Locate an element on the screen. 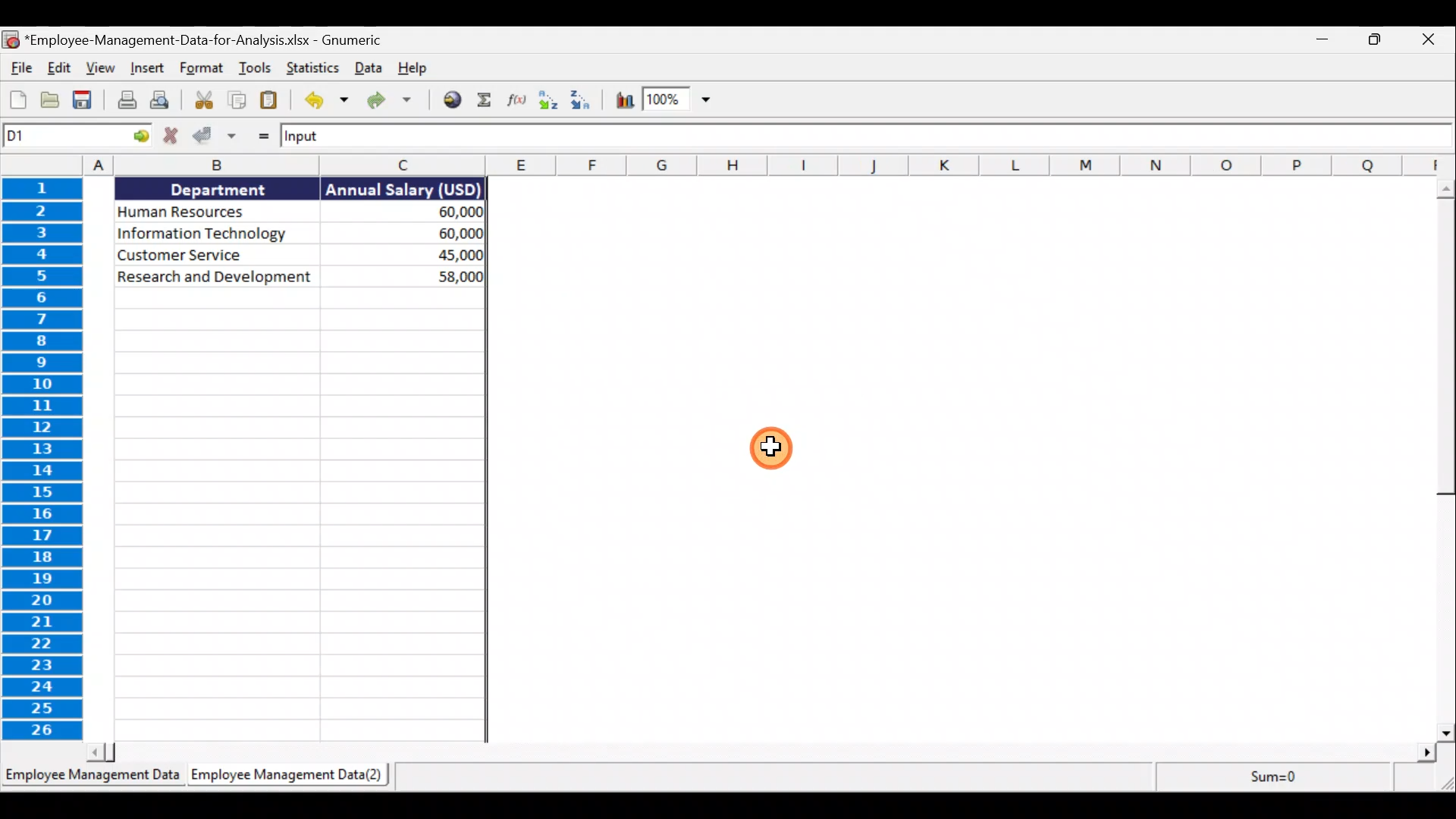 The height and width of the screenshot is (819, 1456). Help is located at coordinates (410, 66).